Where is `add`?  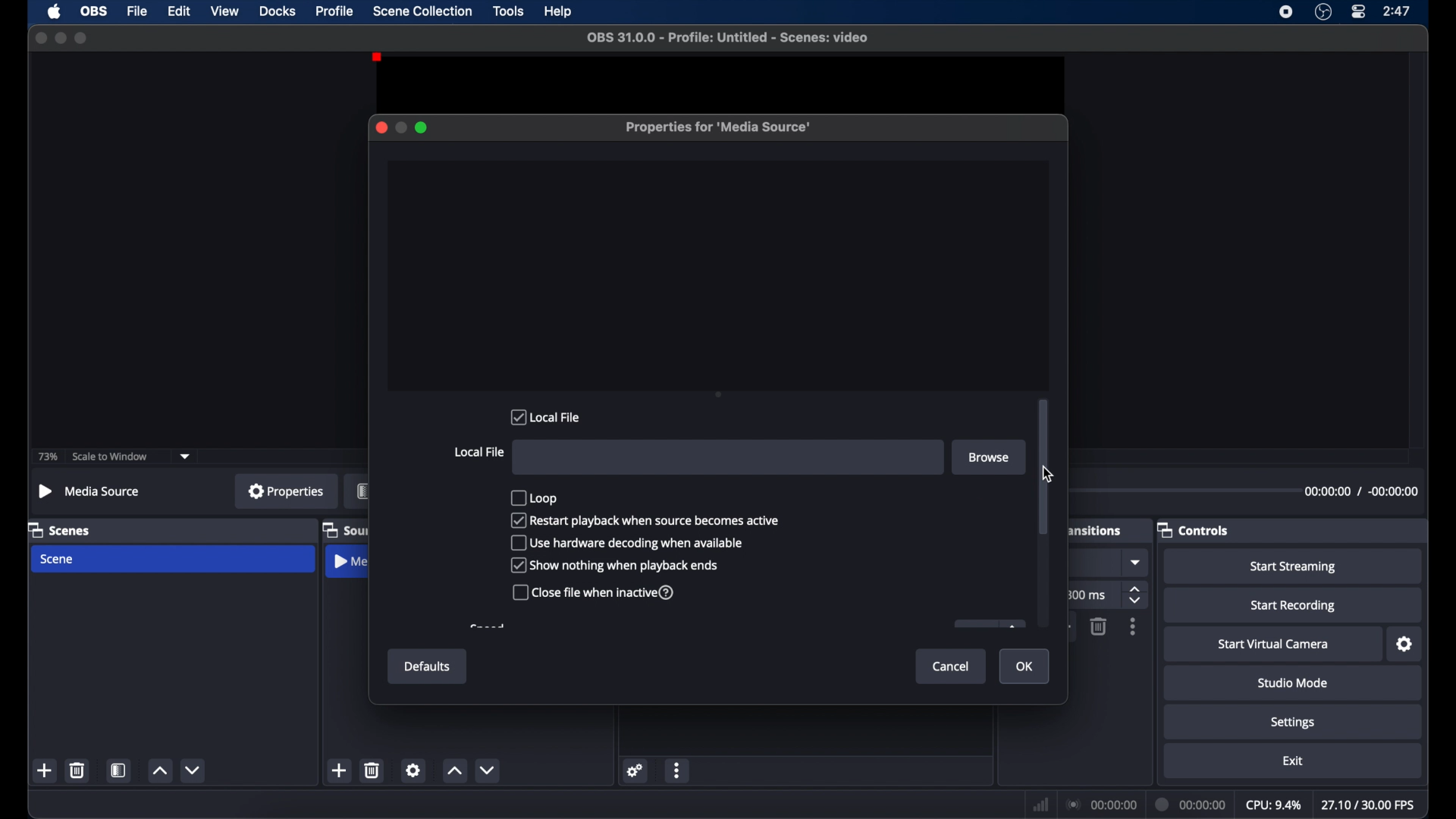
add is located at coordinates (45, 770).